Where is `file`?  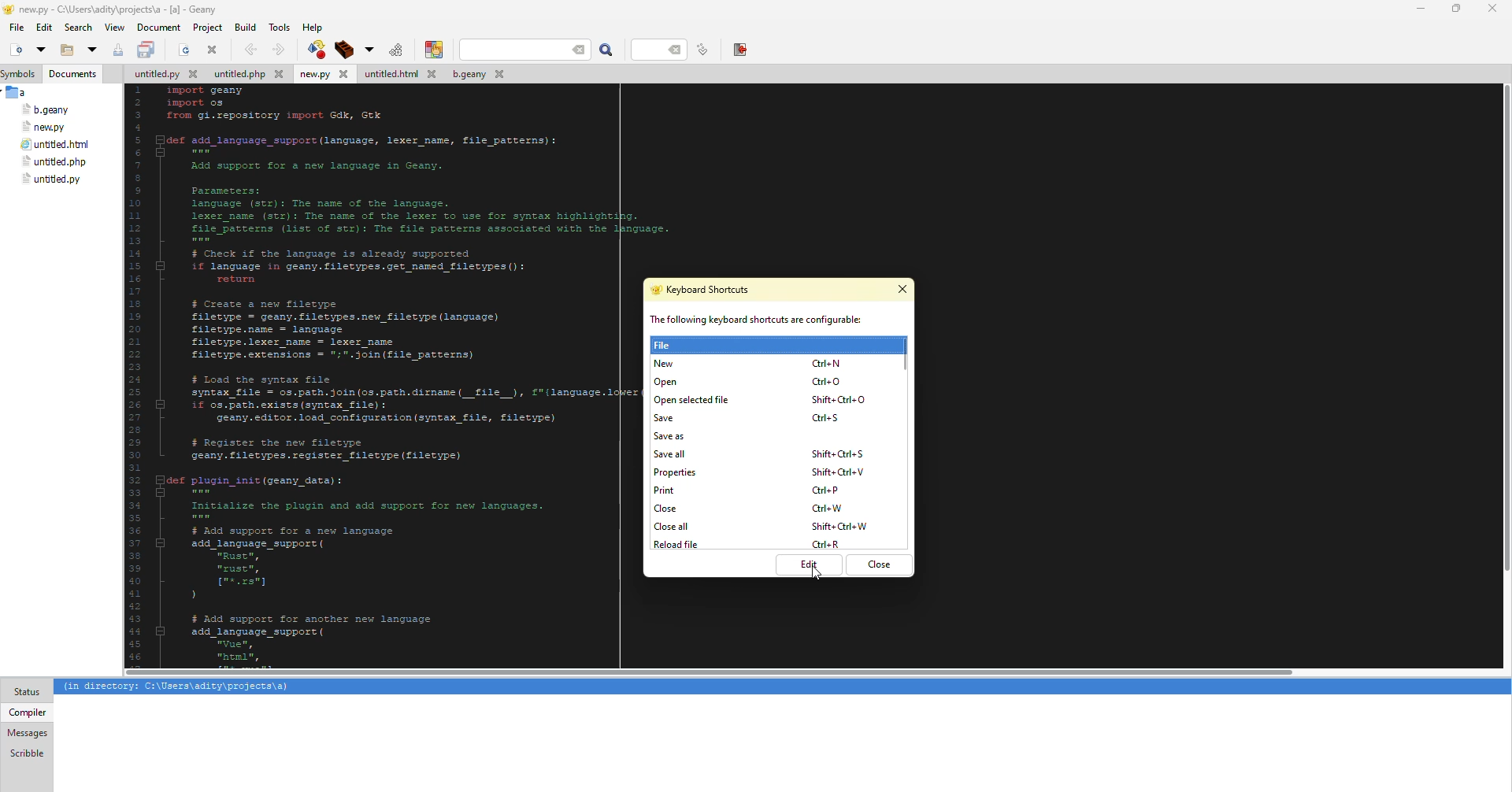
file is located at coordinates (17, 28).